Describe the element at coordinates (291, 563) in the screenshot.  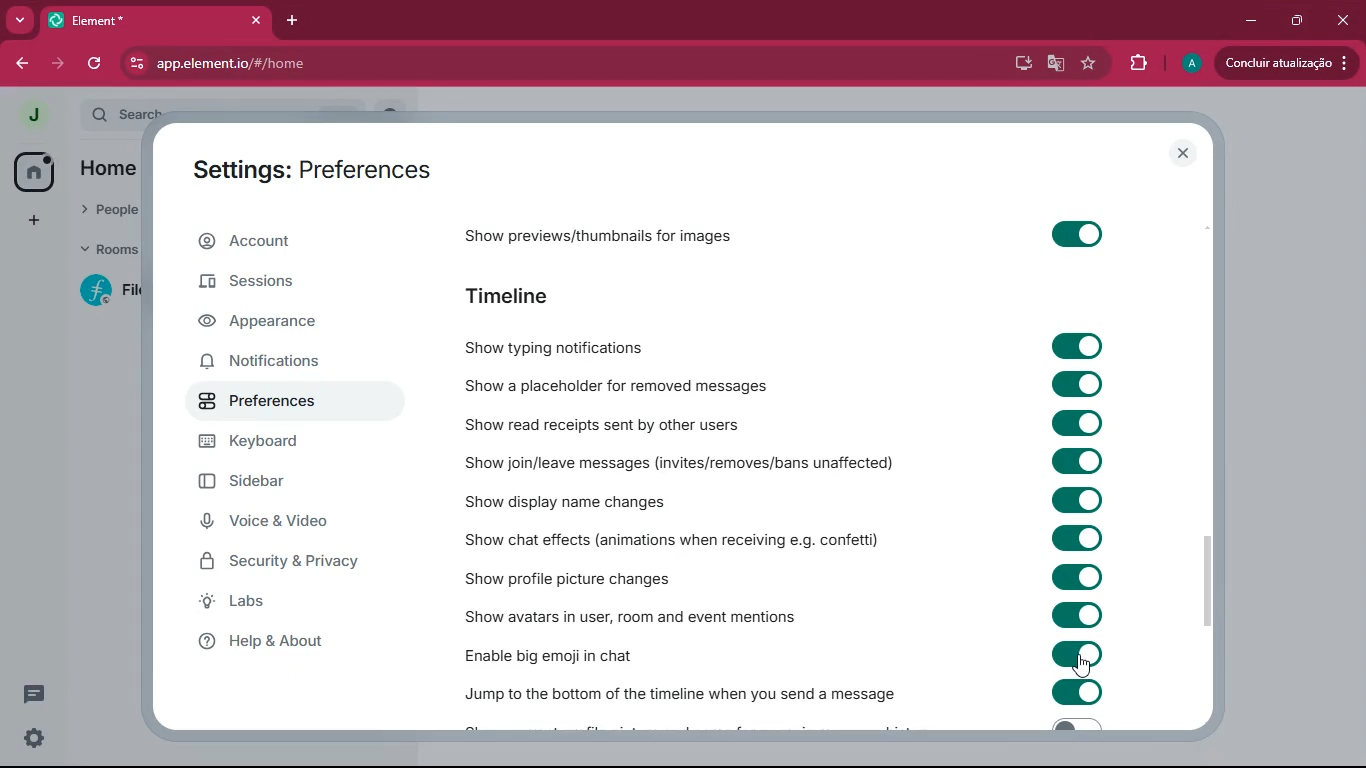
I see `security & privacy` at that location.